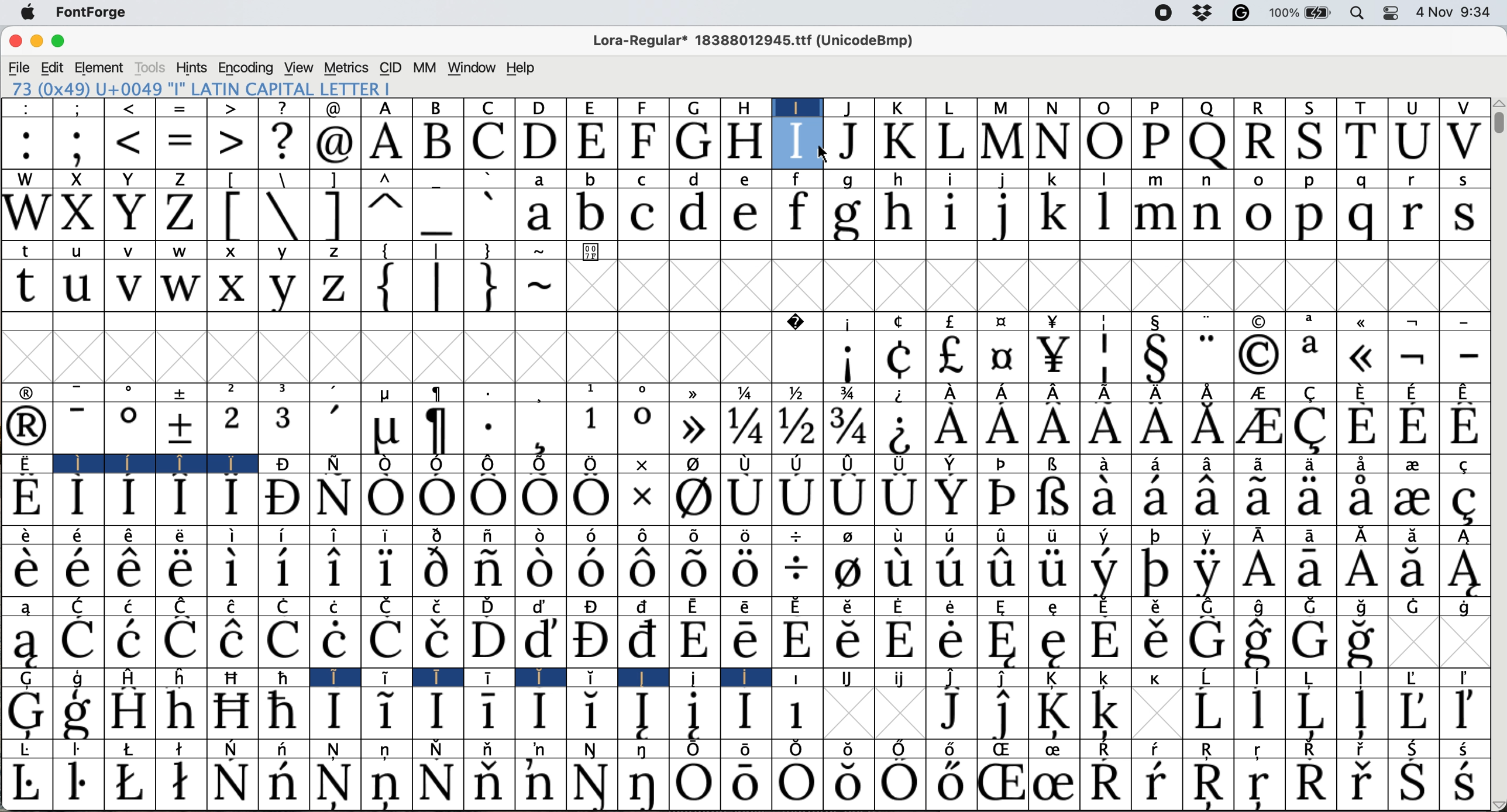 The width and height of the screenshot is (1507, 812). I want to click on Symbol, so click(1157, 782).